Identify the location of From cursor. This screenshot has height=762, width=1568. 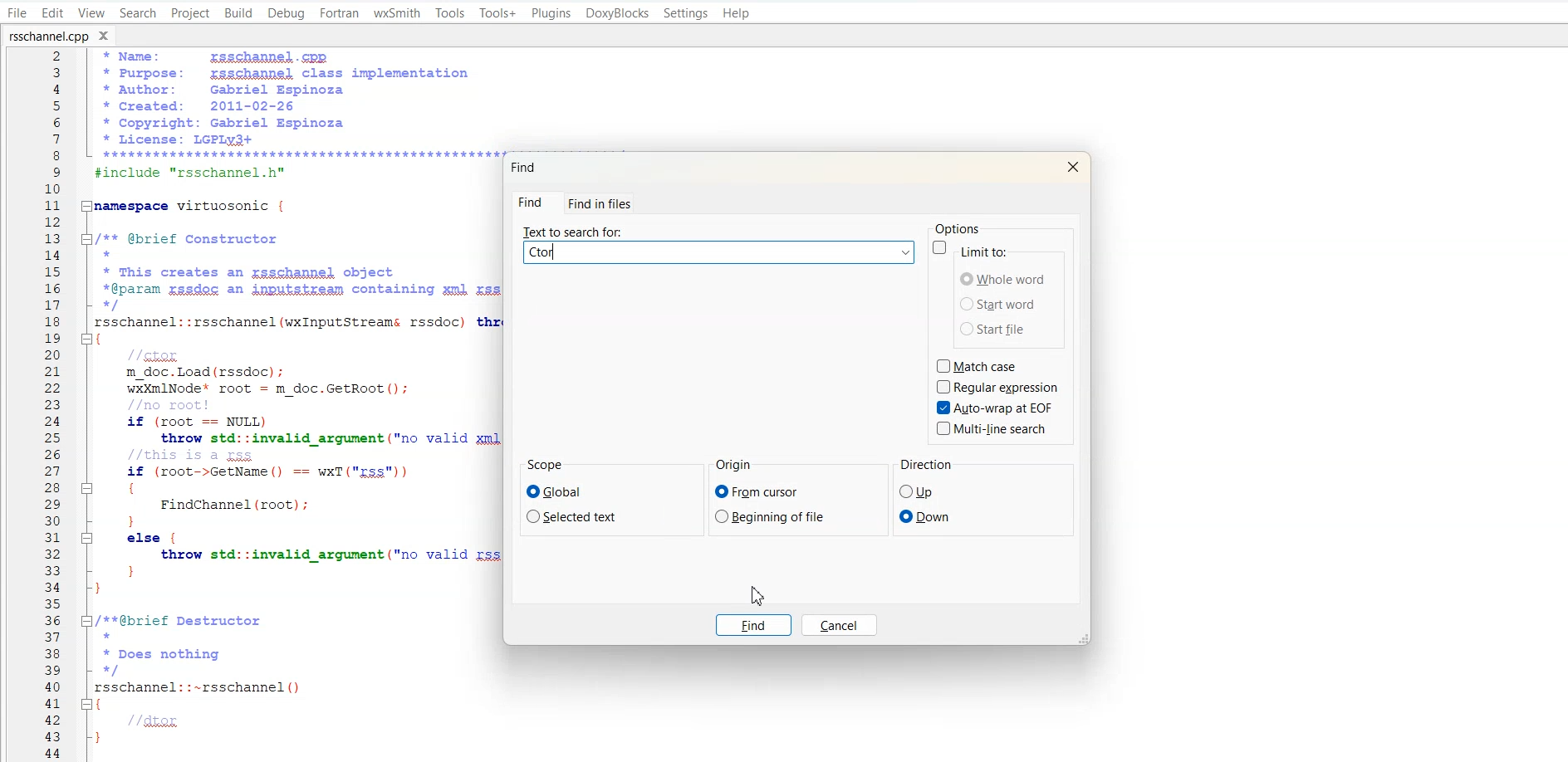
(757, 491).